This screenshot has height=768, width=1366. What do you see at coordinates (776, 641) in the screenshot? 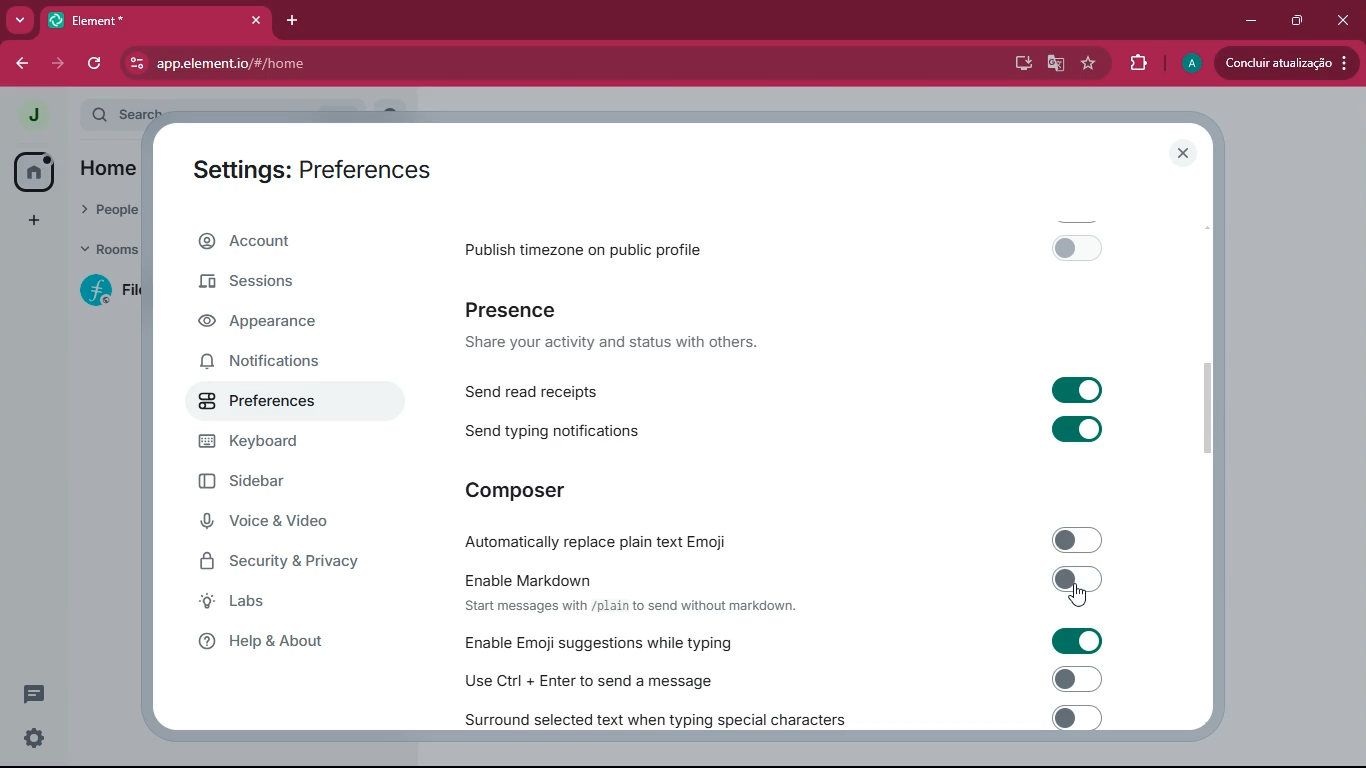
I see `enable emoji` at bounding box center [776, 641].